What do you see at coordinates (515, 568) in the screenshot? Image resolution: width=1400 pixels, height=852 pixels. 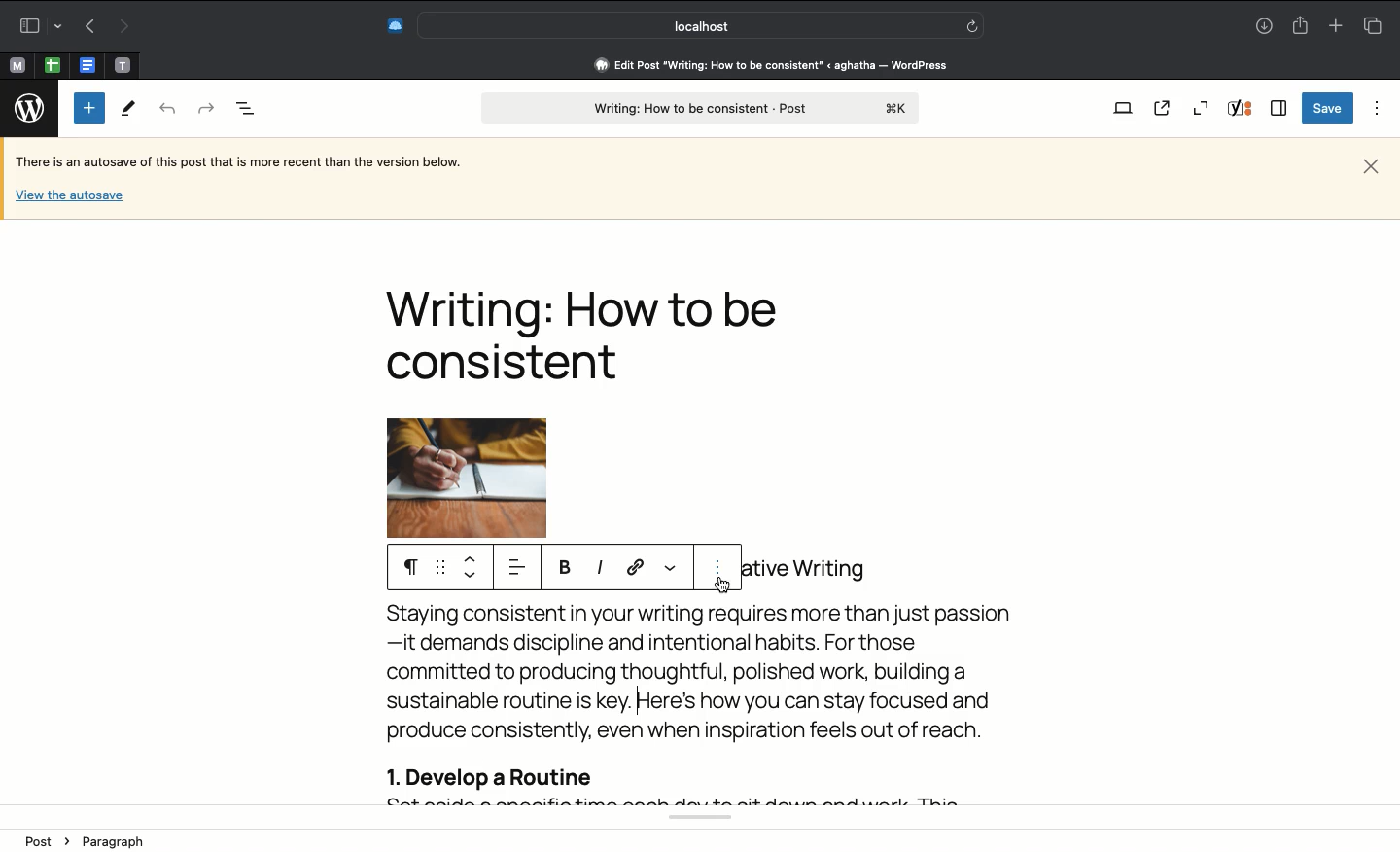 I see `Left alignment` at bounding box center [515, 568].